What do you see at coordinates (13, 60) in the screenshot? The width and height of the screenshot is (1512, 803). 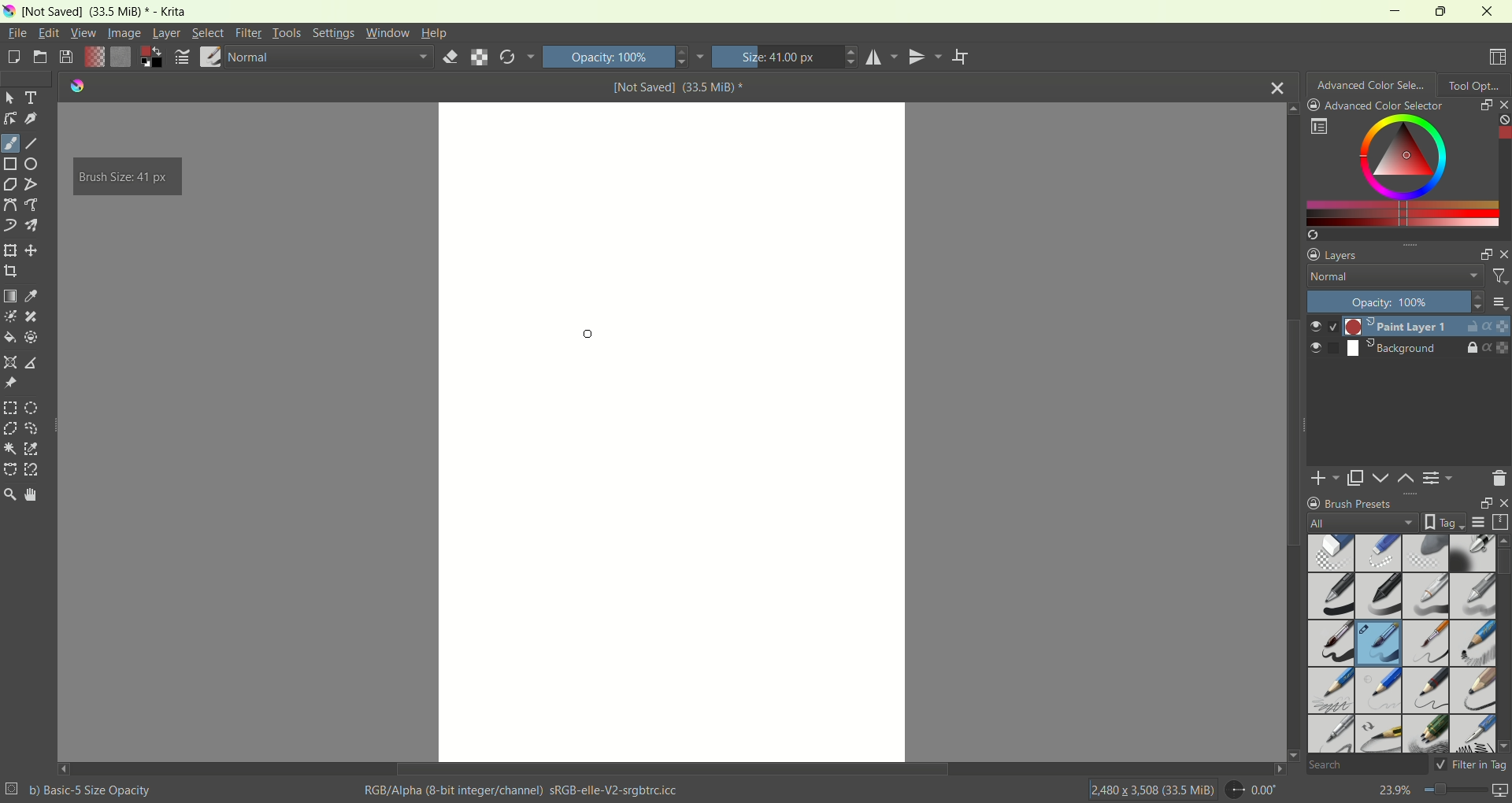 I see `create a new document` at bounding box center [13, 60].